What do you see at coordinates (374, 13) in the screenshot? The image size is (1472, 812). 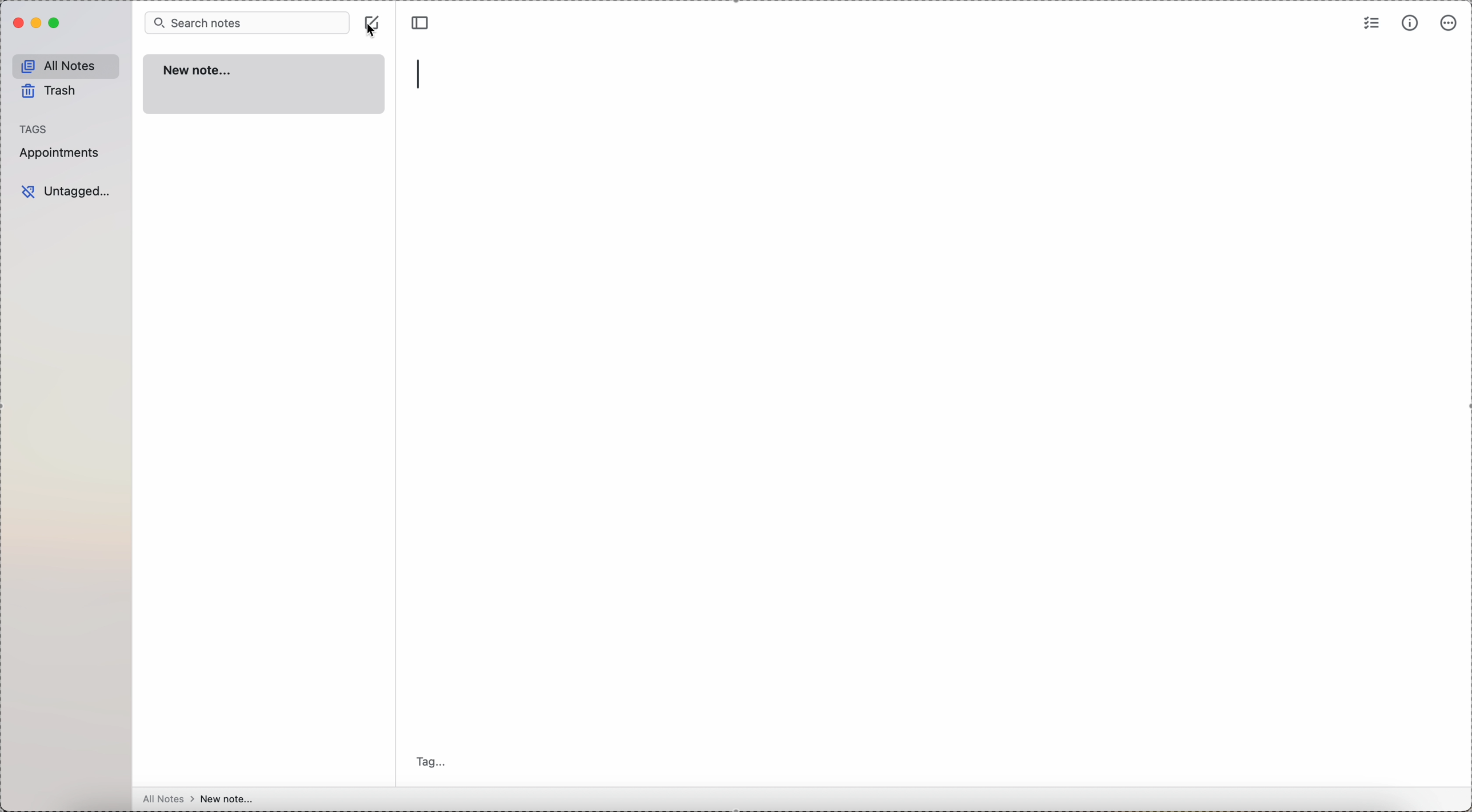 I see `create note` at bounding box center [374, 13].